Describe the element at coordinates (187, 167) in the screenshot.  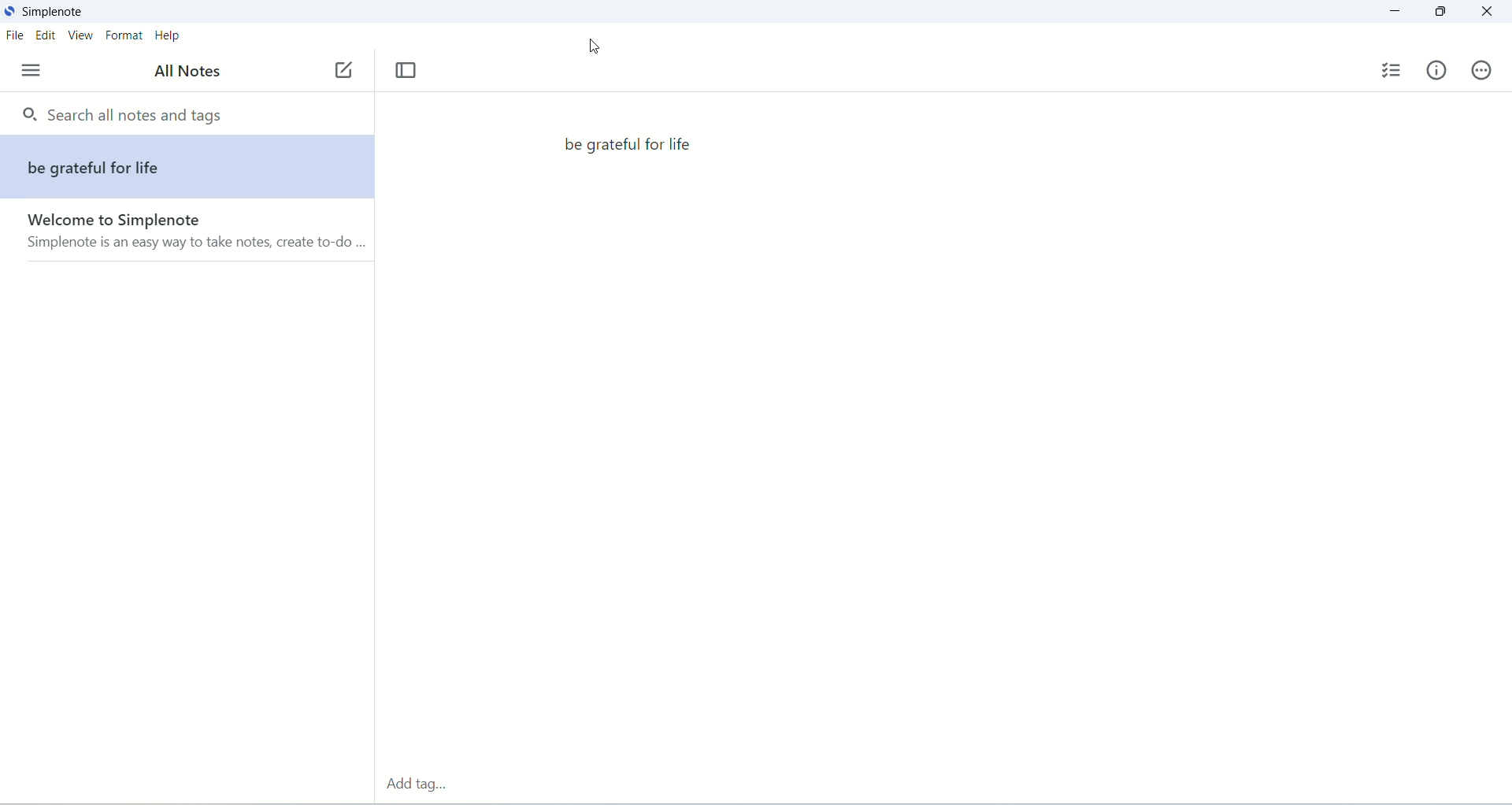
I see `new note` at that location.